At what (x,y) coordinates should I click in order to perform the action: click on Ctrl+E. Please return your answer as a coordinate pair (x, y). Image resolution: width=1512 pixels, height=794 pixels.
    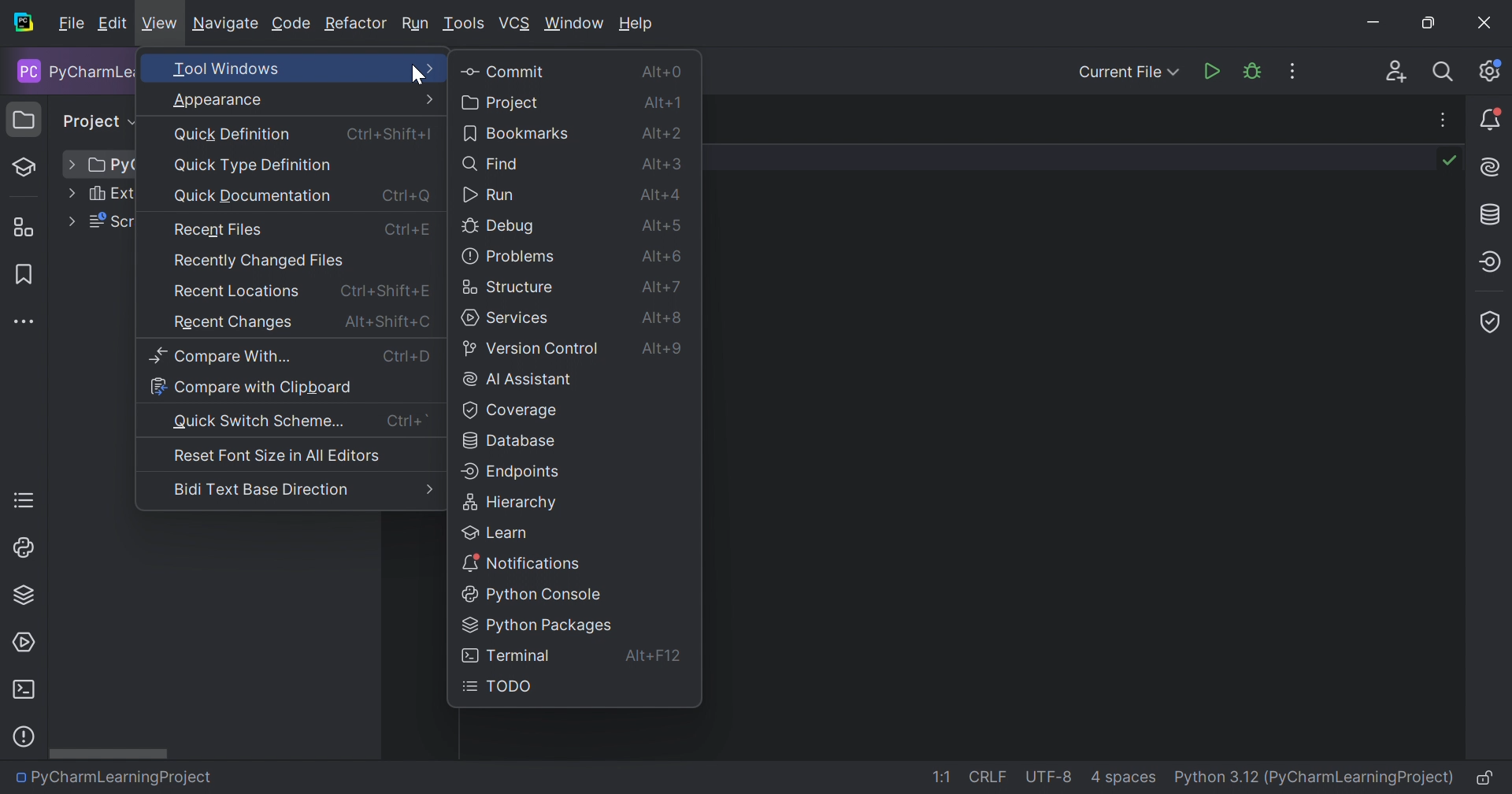
    Looking at the image, I should click on (406, 228).